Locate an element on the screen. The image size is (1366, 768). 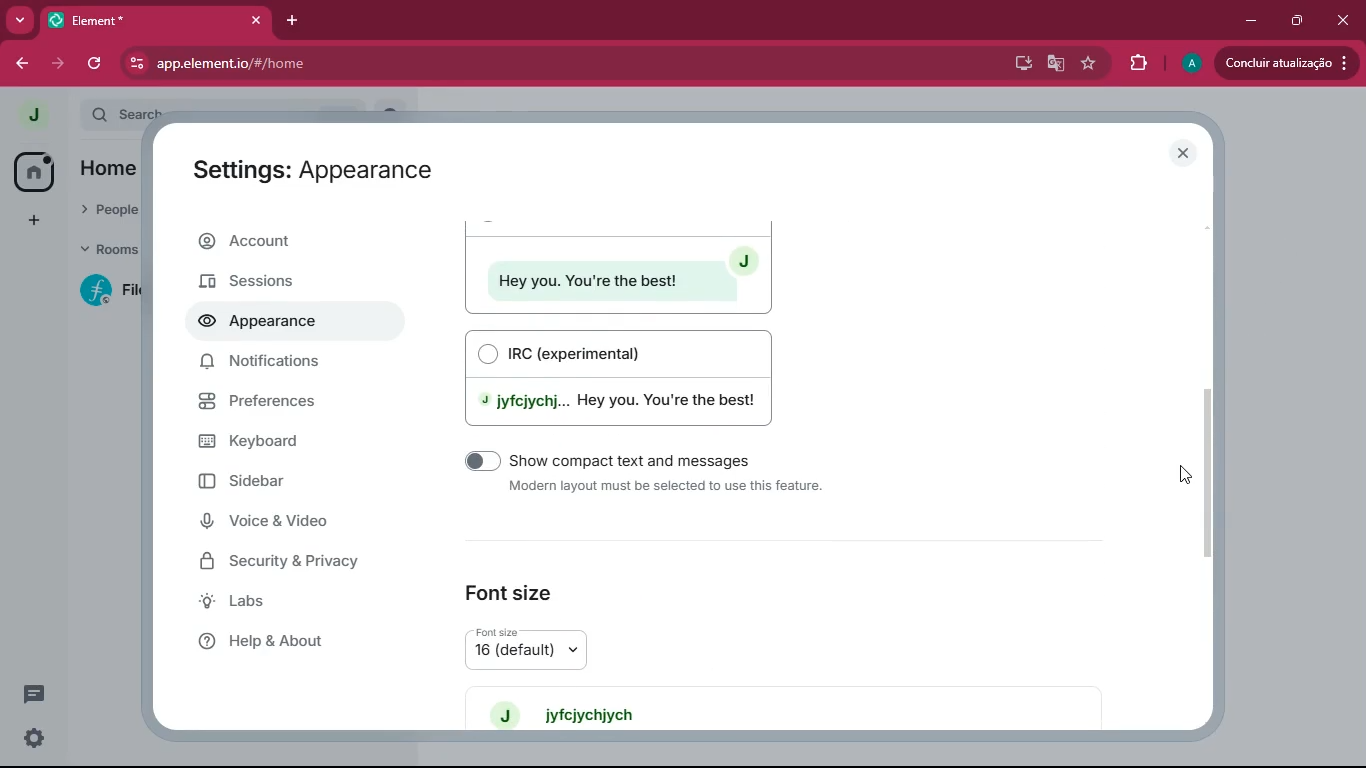
preferences is located at coordinates (291, 404).